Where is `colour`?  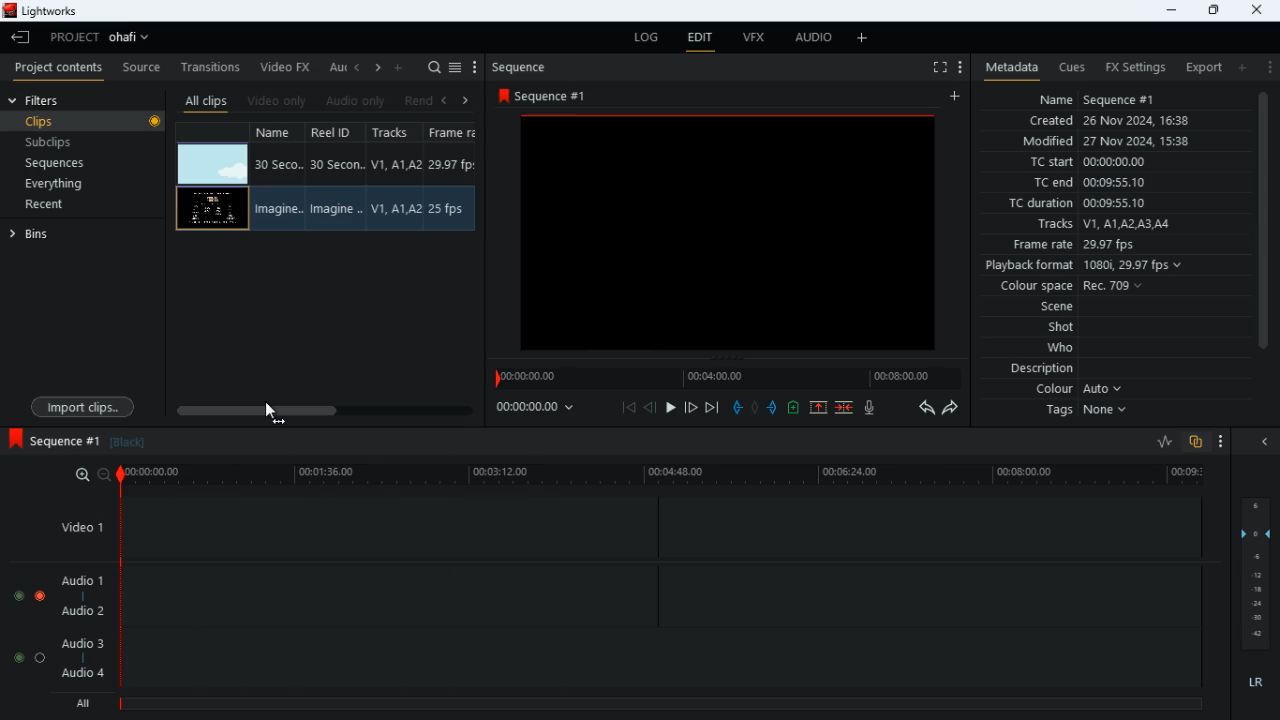 colour is located at coordinates (1070, 389).